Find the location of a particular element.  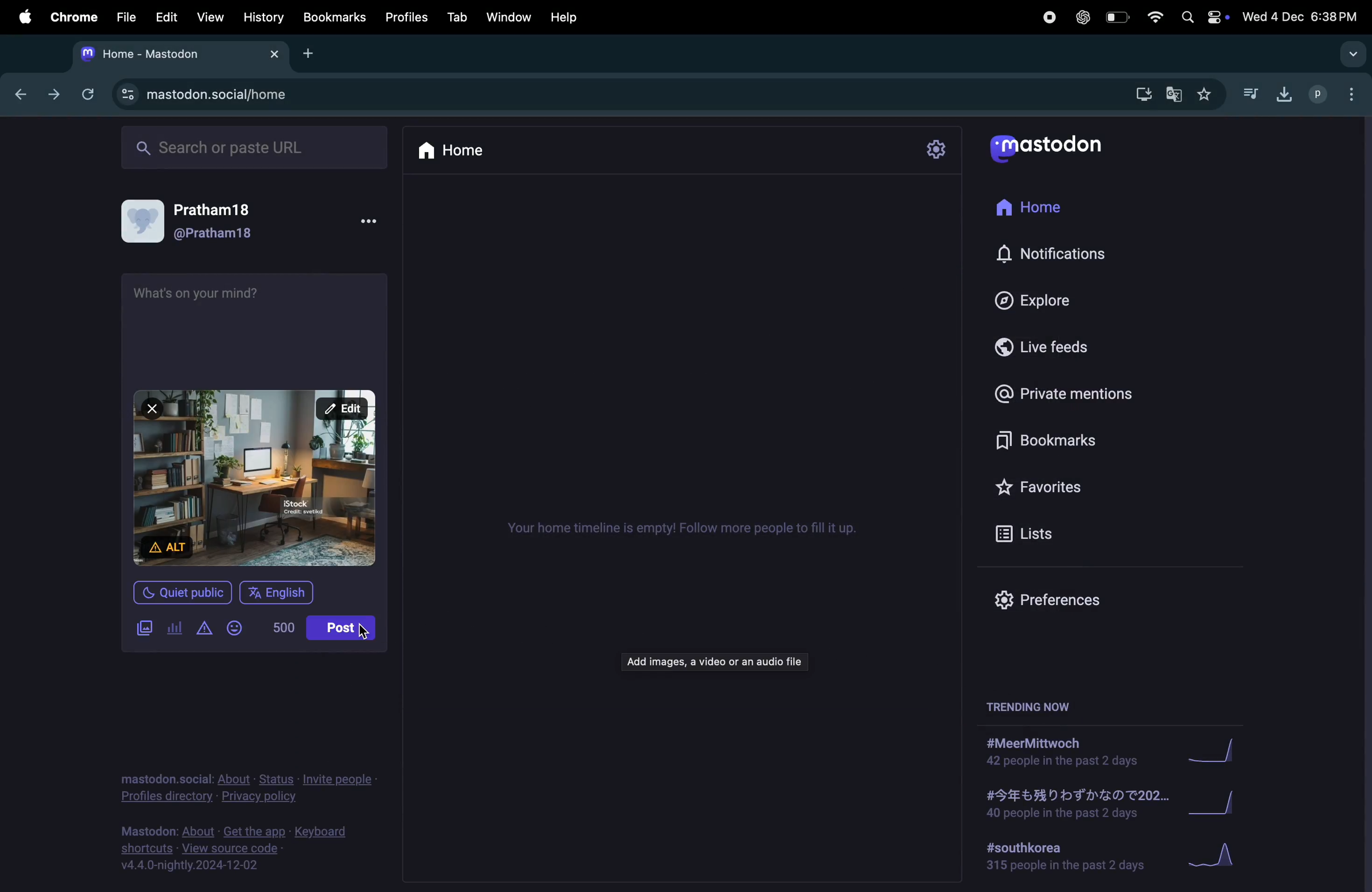

#south korea is located at coordinates (1062, 858).